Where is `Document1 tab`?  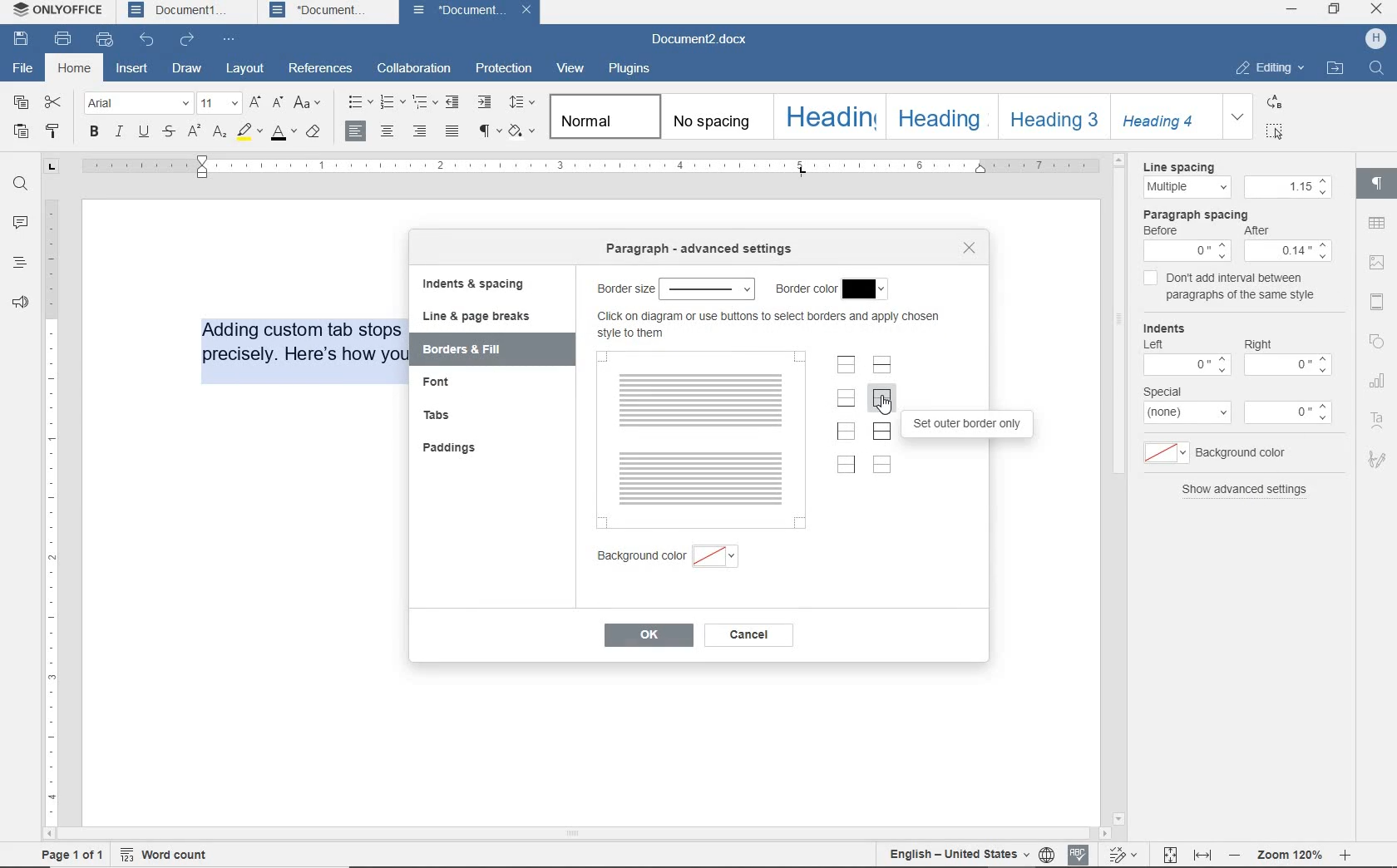
Document1 tab is located at coordinates (180, 11).